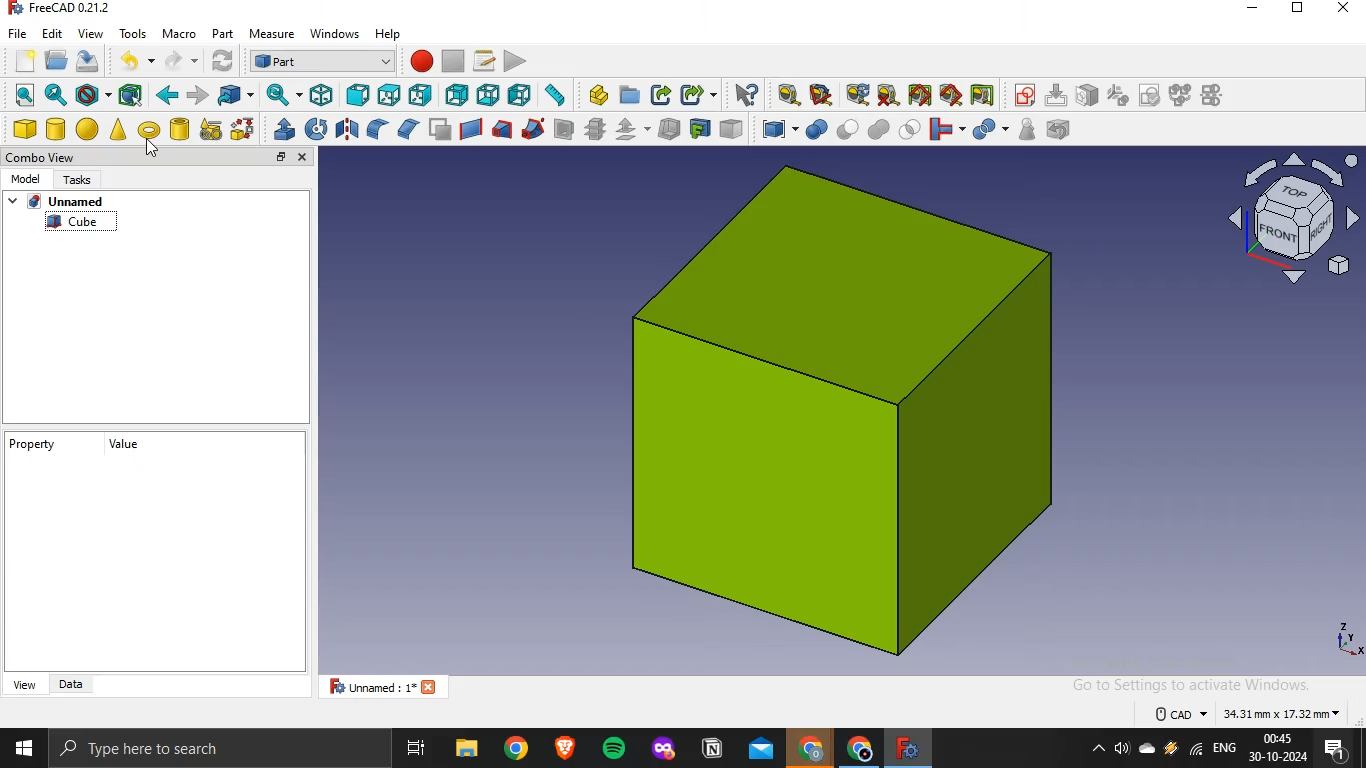  I want to click on onedrive, so click(1148, 750).